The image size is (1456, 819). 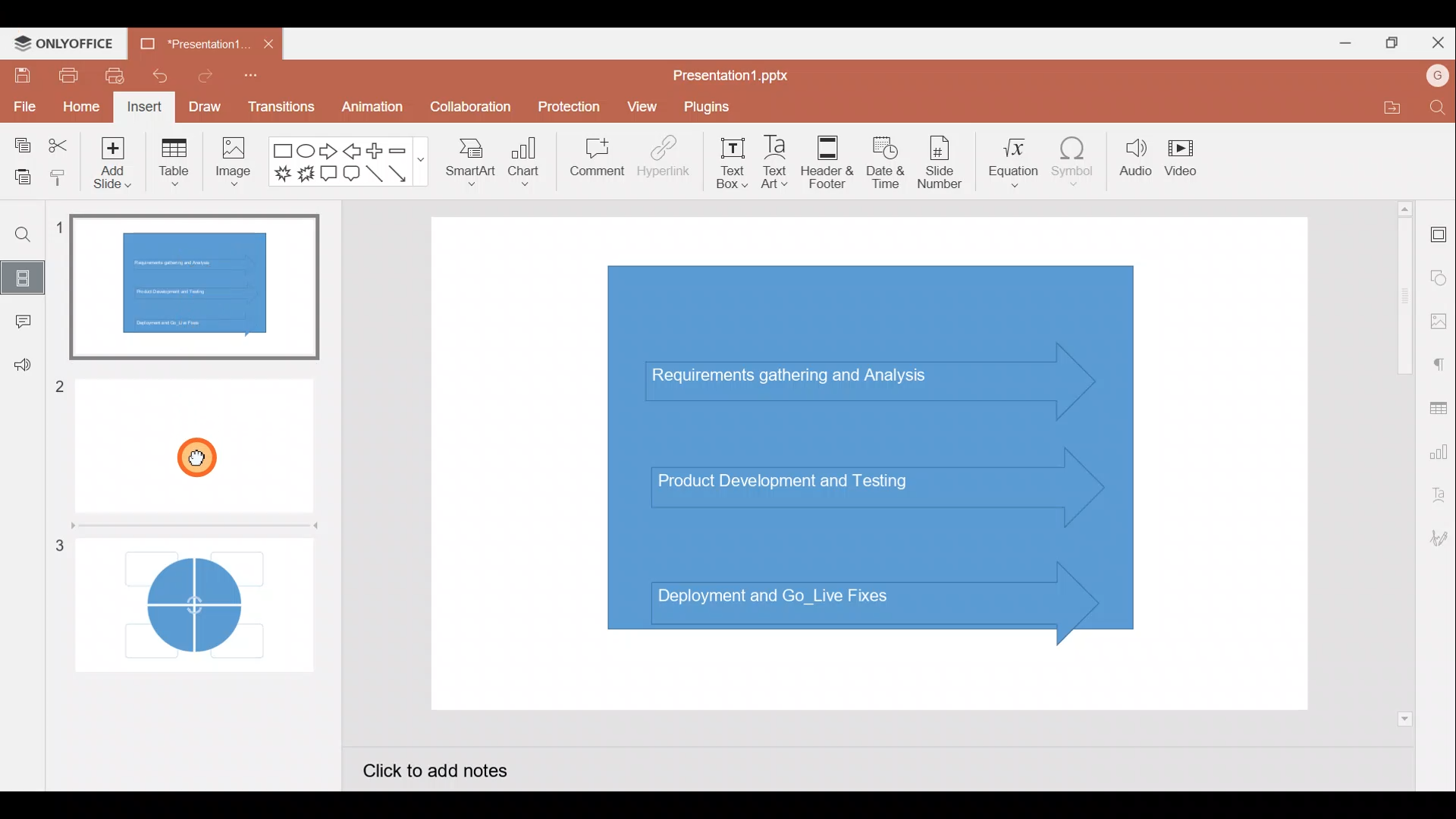 What do you see at coordinates (1437, 236) in the screenshot?
I see `Slide settings` at bounding box center [1437, 236].